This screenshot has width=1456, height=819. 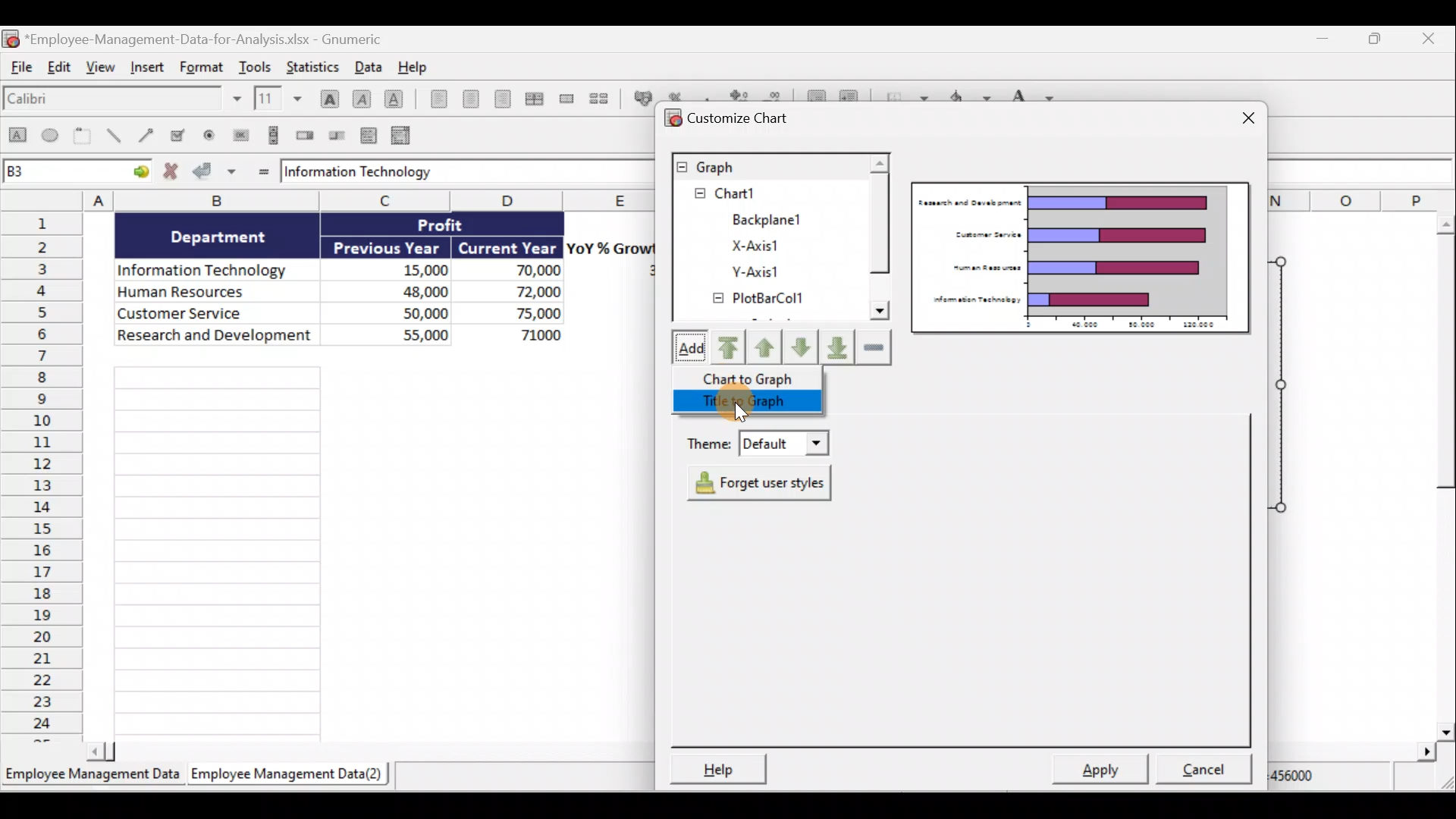 I want to click on Move downward, so click(x=839, y=349).